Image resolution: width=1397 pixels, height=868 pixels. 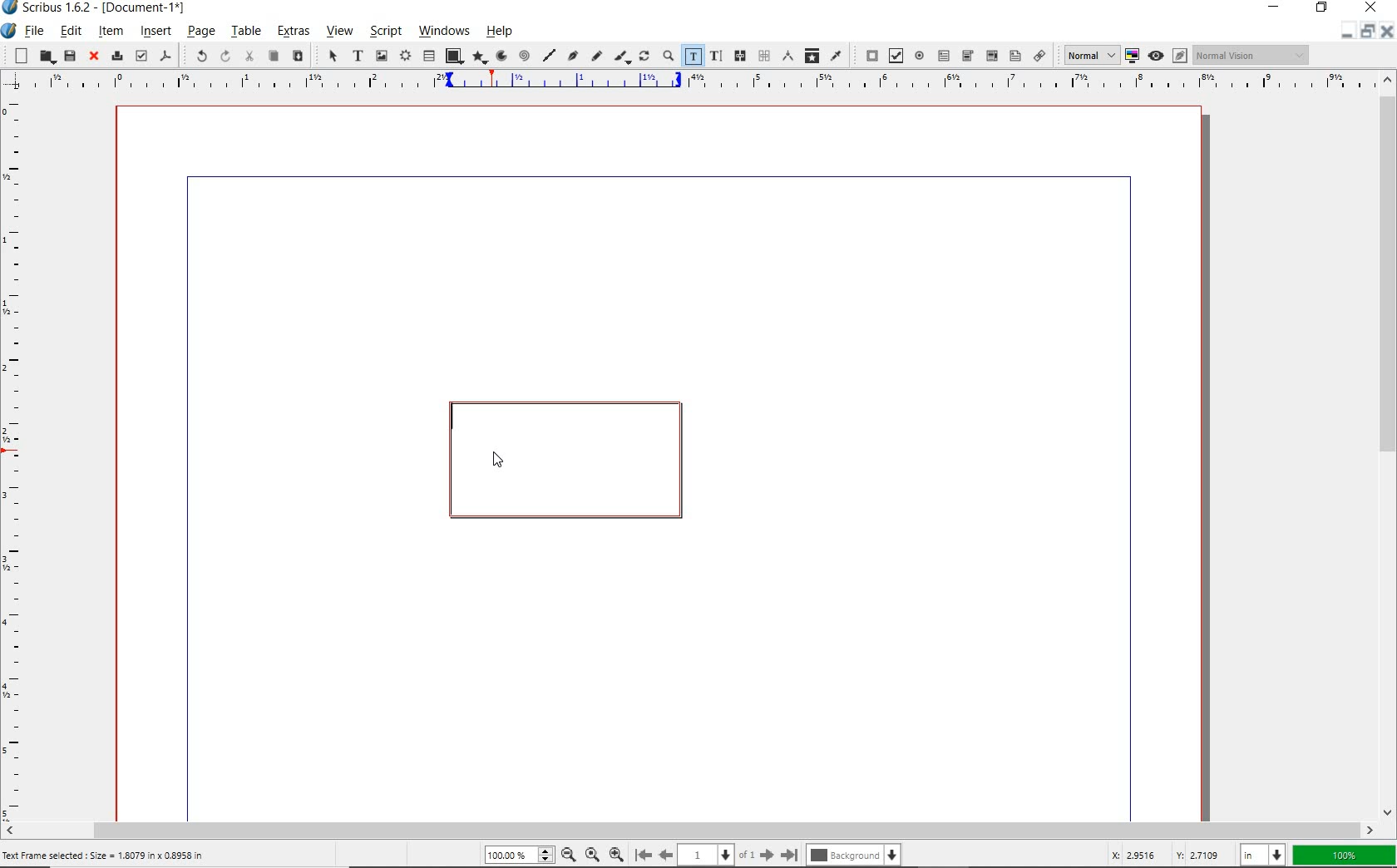 I want to click on select item, so click(x=332, y=56).